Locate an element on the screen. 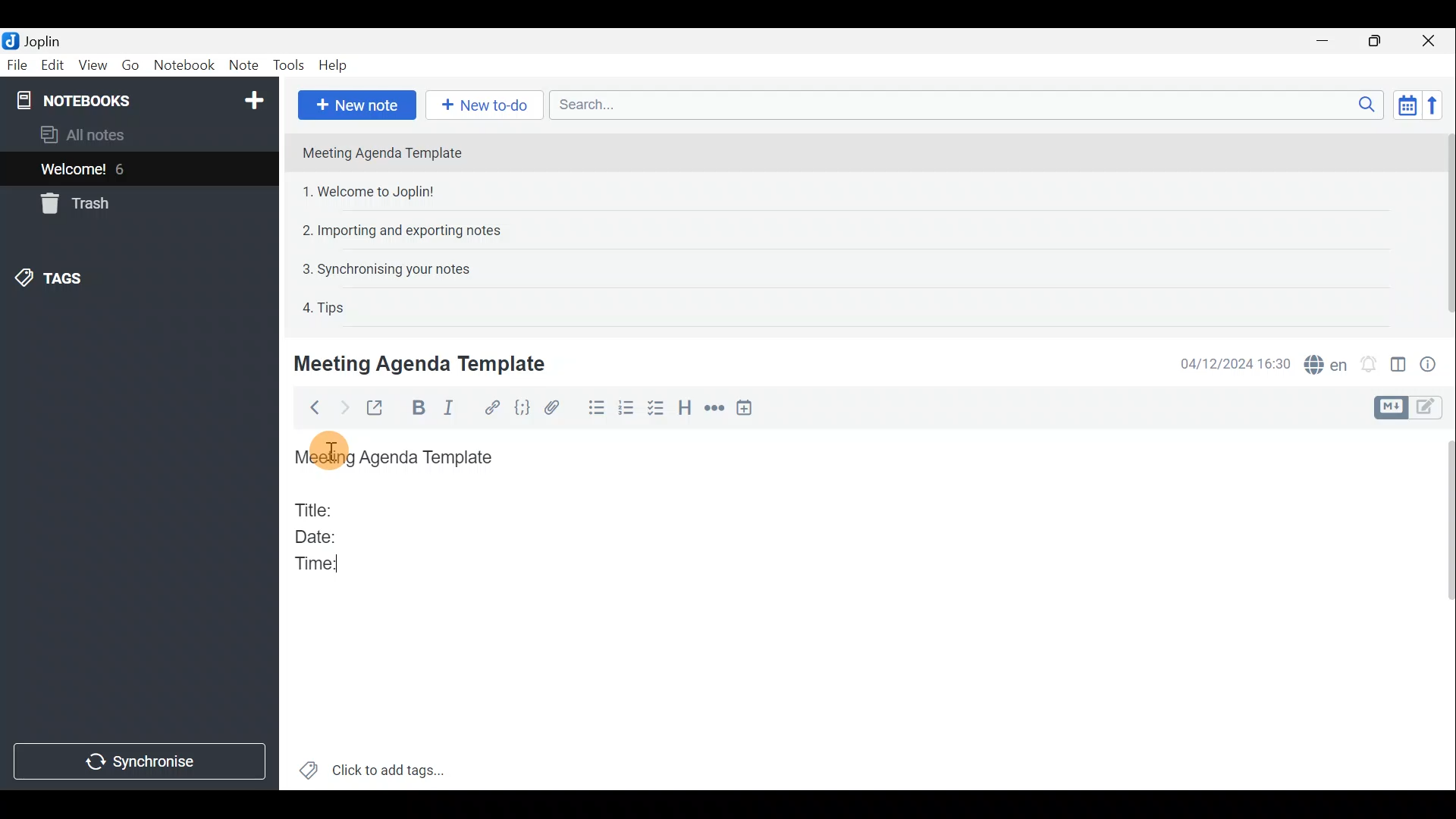  Back is located at coordinates (310, 410).